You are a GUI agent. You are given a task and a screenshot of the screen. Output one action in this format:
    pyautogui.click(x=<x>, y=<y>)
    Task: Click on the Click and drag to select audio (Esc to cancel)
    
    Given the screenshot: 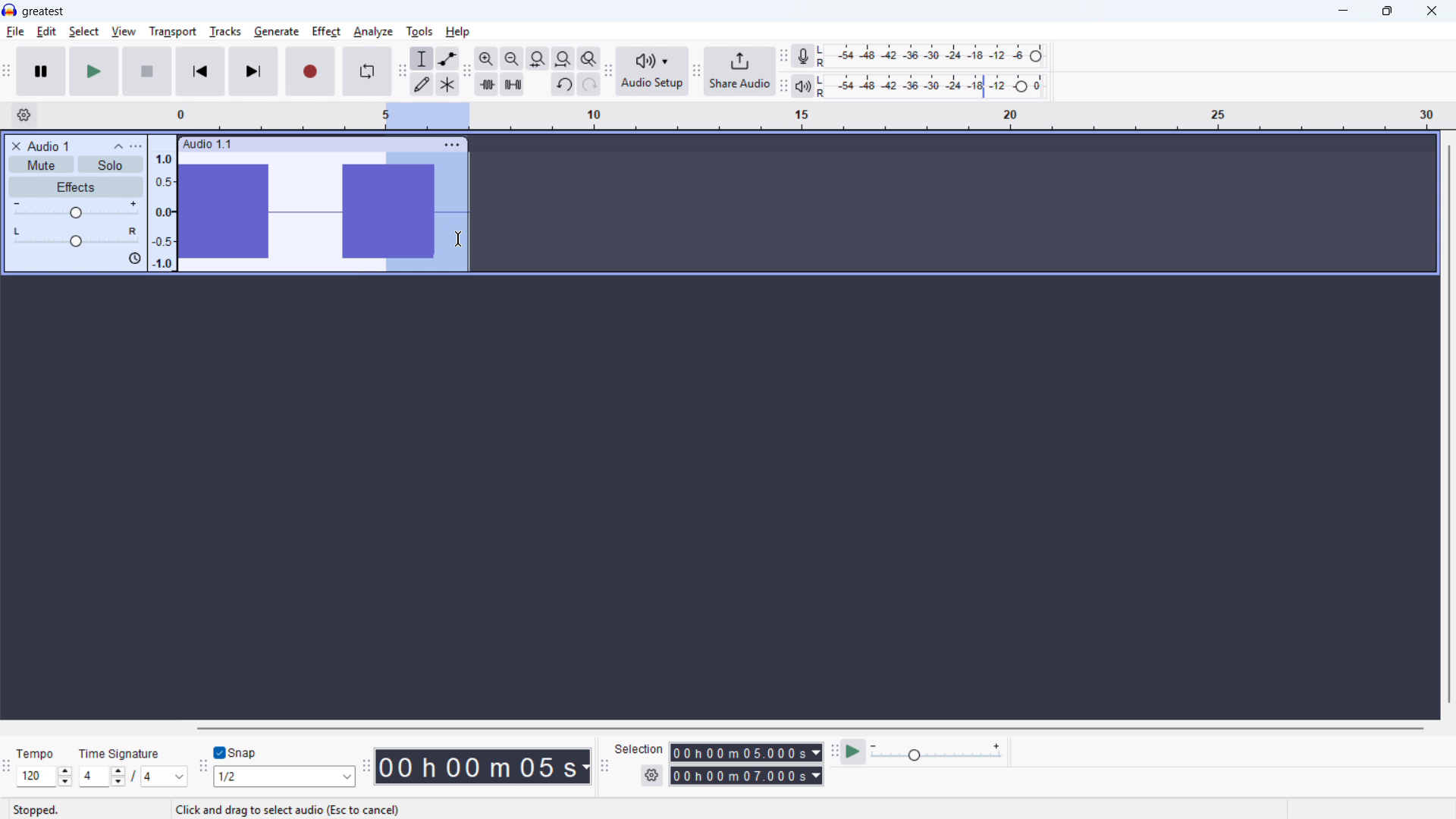 What is the action you would take?
    pyautogui.click(x=289, y=811)
    